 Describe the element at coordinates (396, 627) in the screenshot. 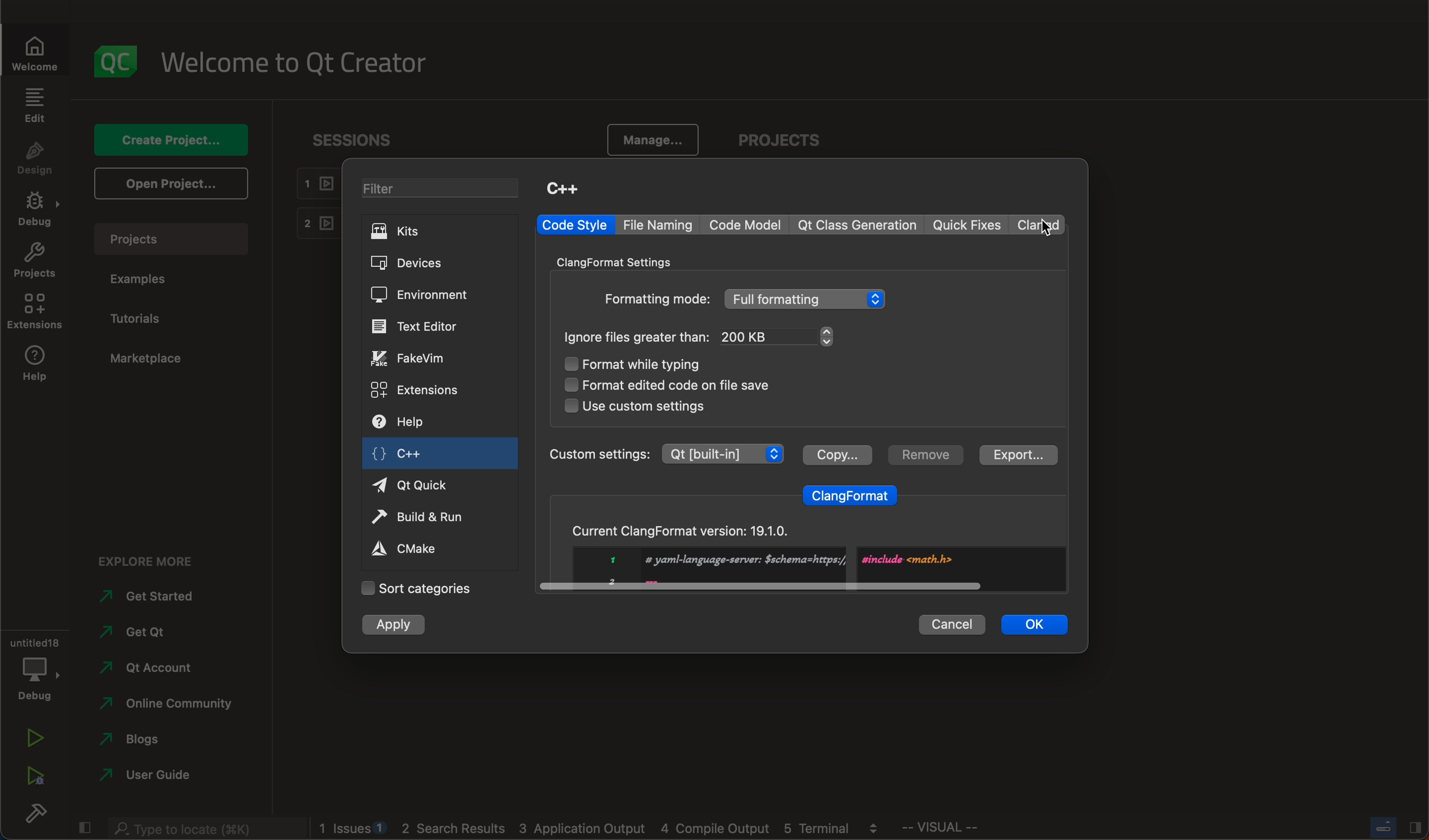

I see `apply` at that location.